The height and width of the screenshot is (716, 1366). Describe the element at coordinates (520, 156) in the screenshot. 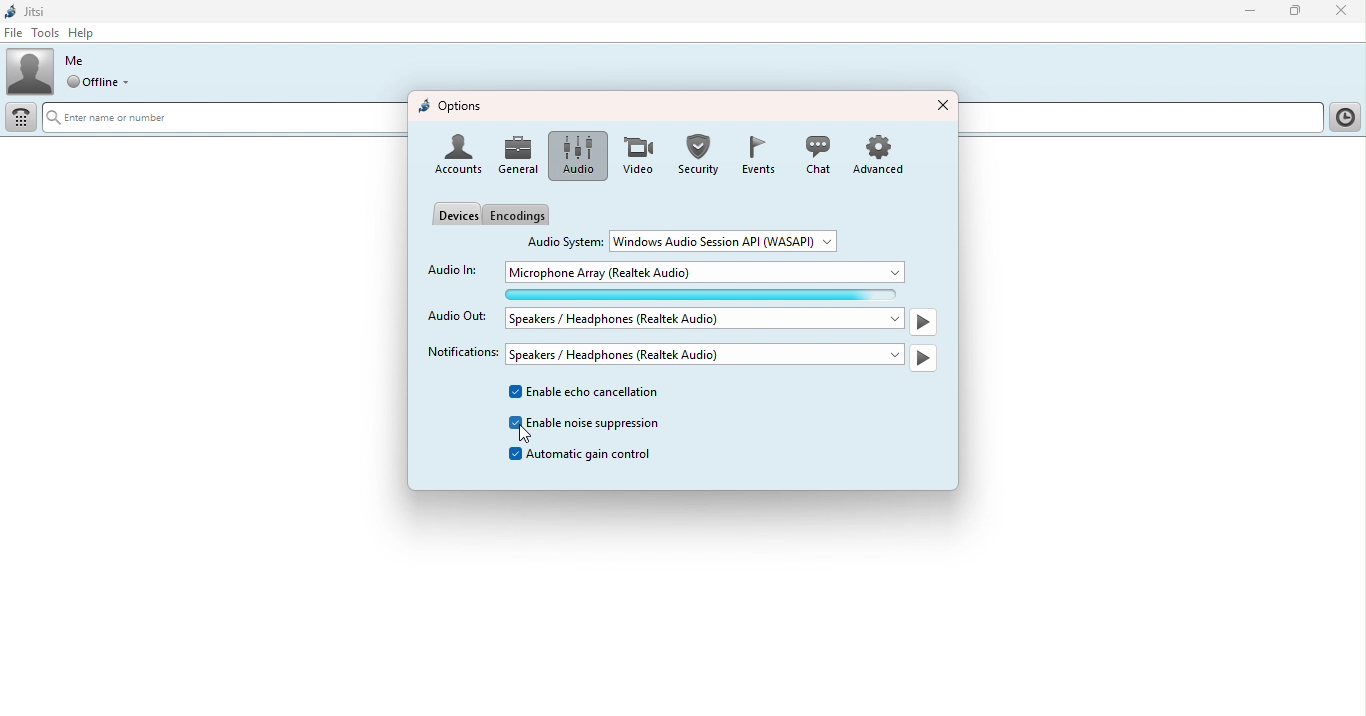

I see `General` at that location.